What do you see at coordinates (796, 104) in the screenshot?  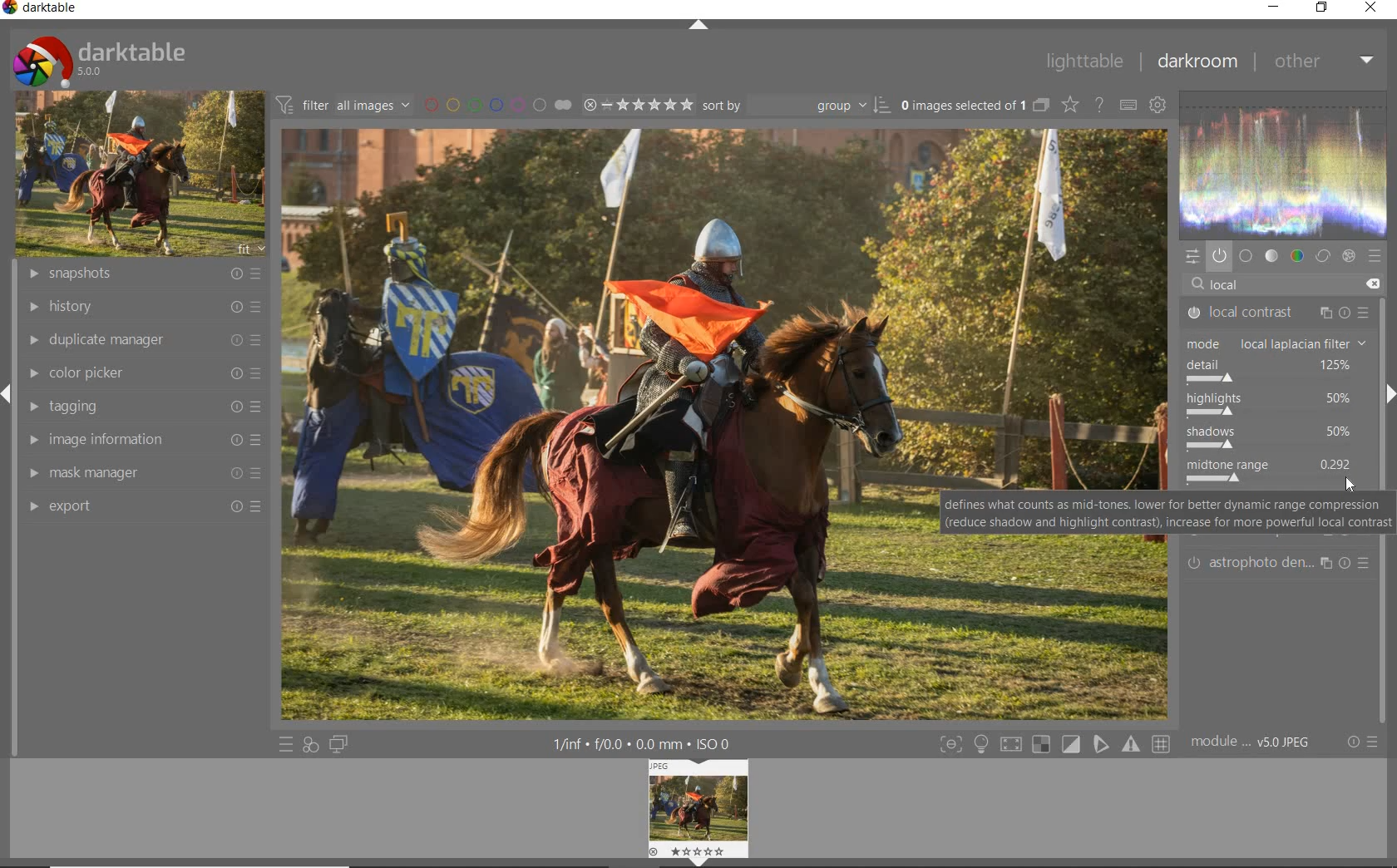 I see `Sort` at bounding box center [796, 104].